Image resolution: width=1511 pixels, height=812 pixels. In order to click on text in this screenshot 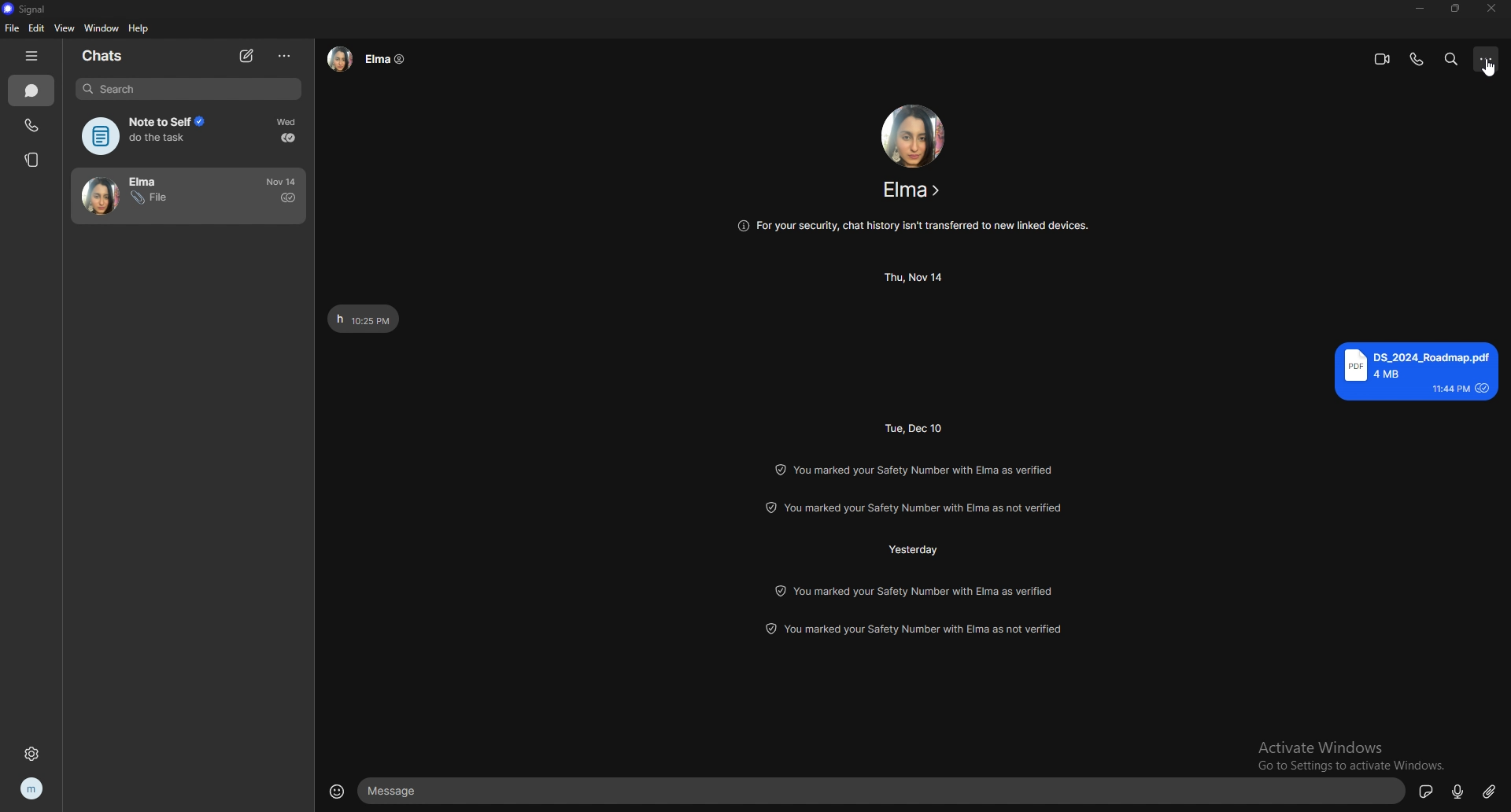, I will do `click(364, 319)`.